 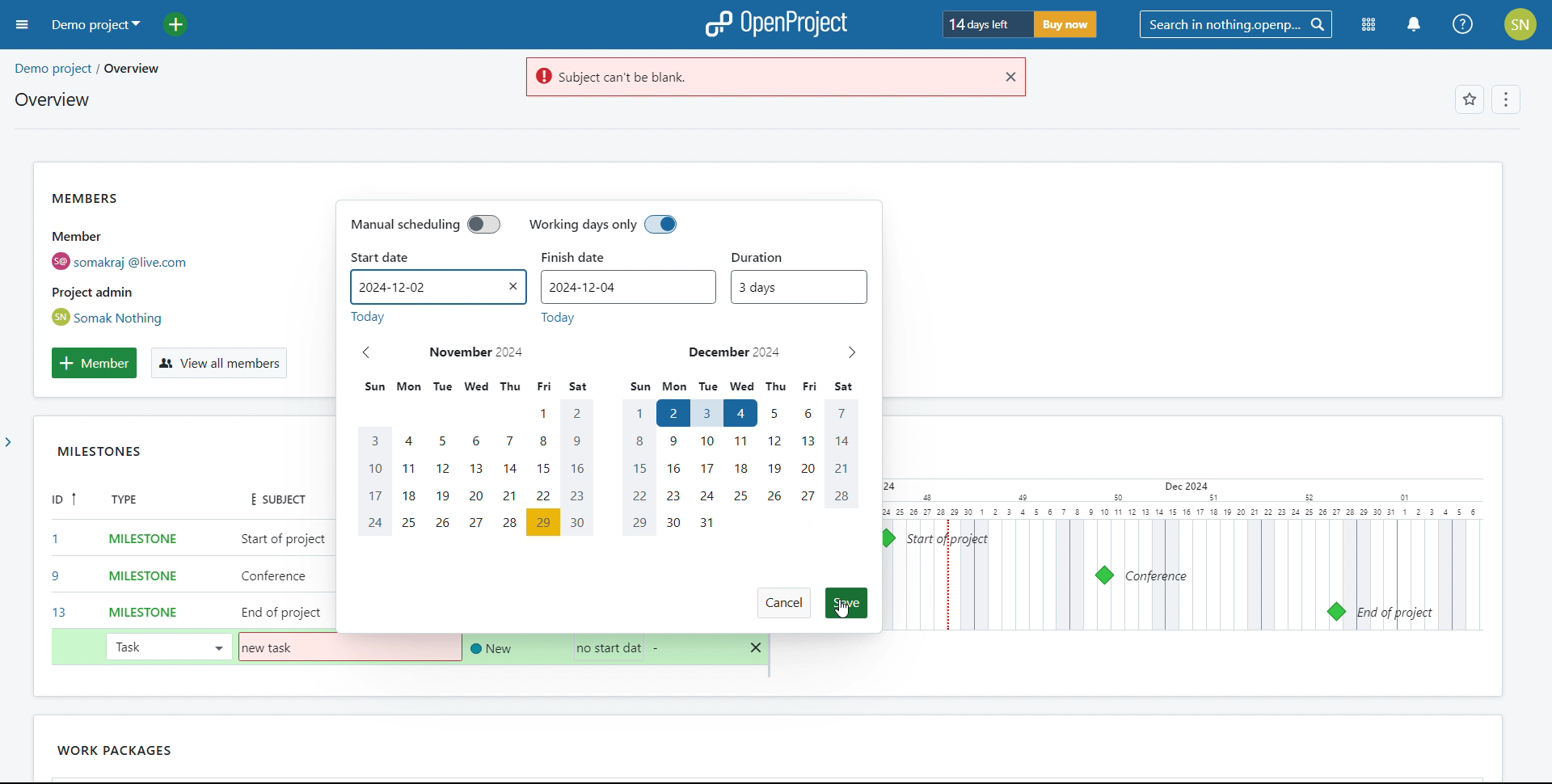 What do you see at coordinates (94, 363) in the screenshot?
I see `add member` at bounding box center [94, 363].